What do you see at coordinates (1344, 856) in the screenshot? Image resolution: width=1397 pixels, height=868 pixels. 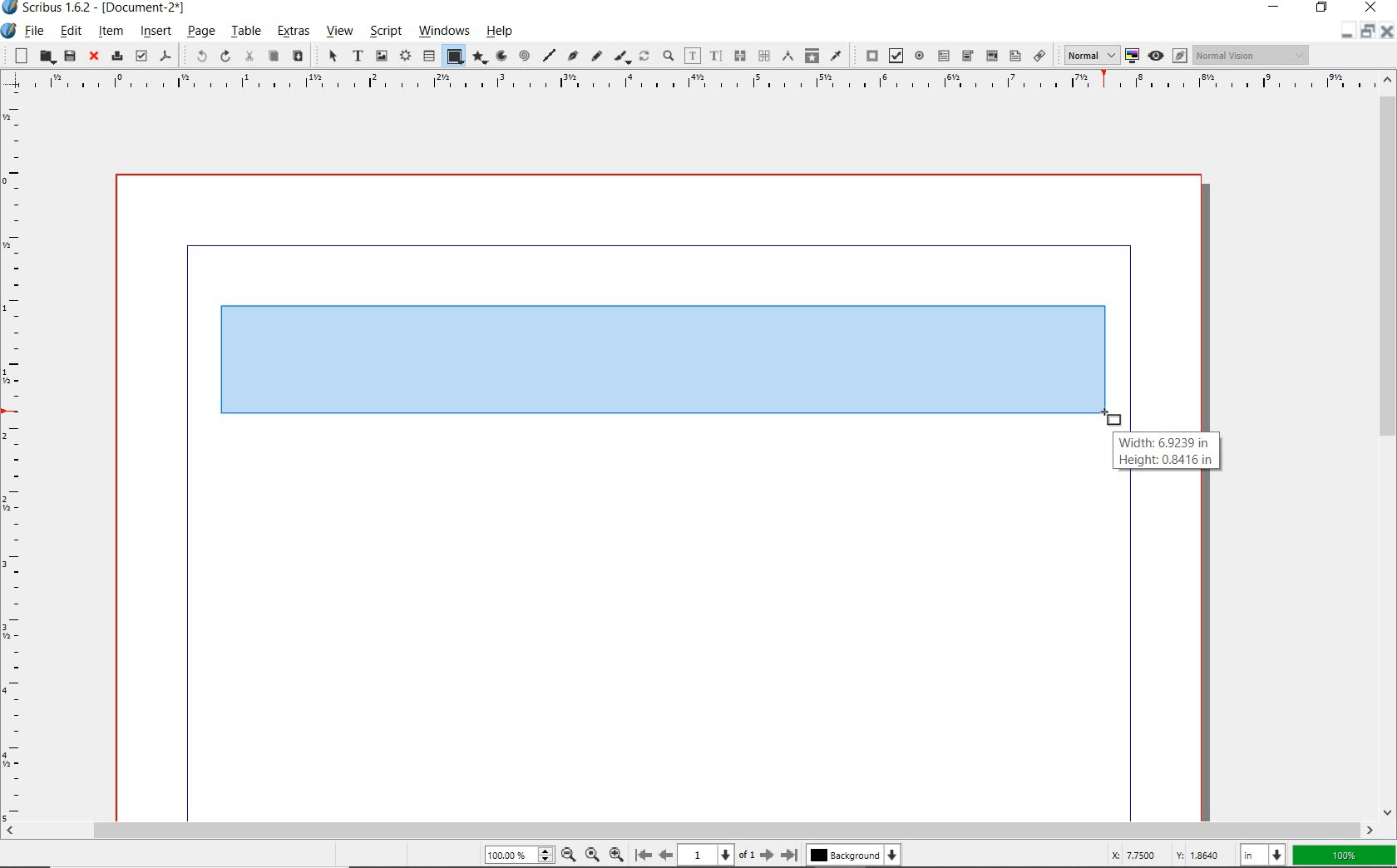 I see `zoom factor` at bounding box center [1344, 856].